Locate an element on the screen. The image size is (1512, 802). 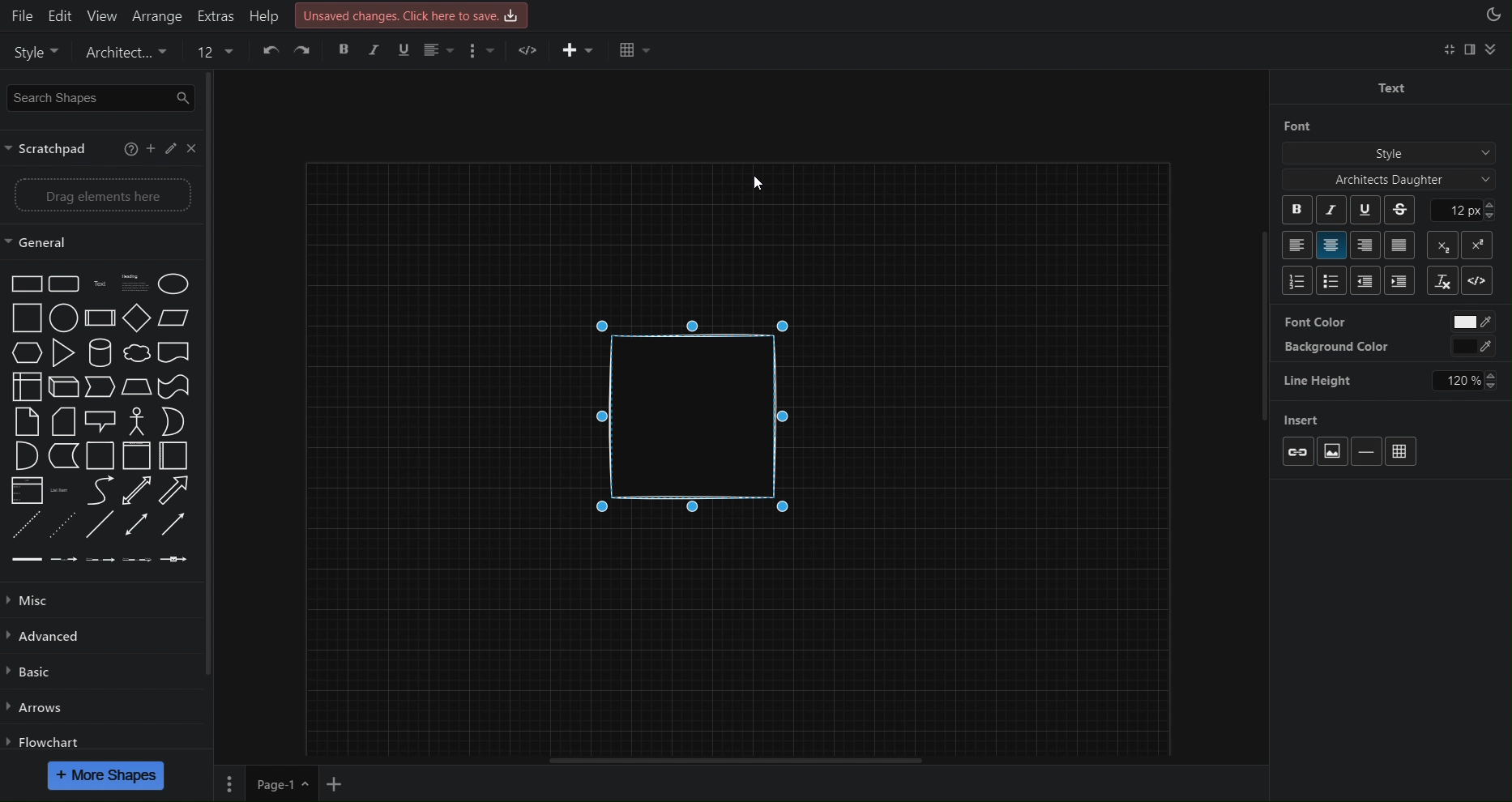
Divide is located at coordinates (1370, 450).